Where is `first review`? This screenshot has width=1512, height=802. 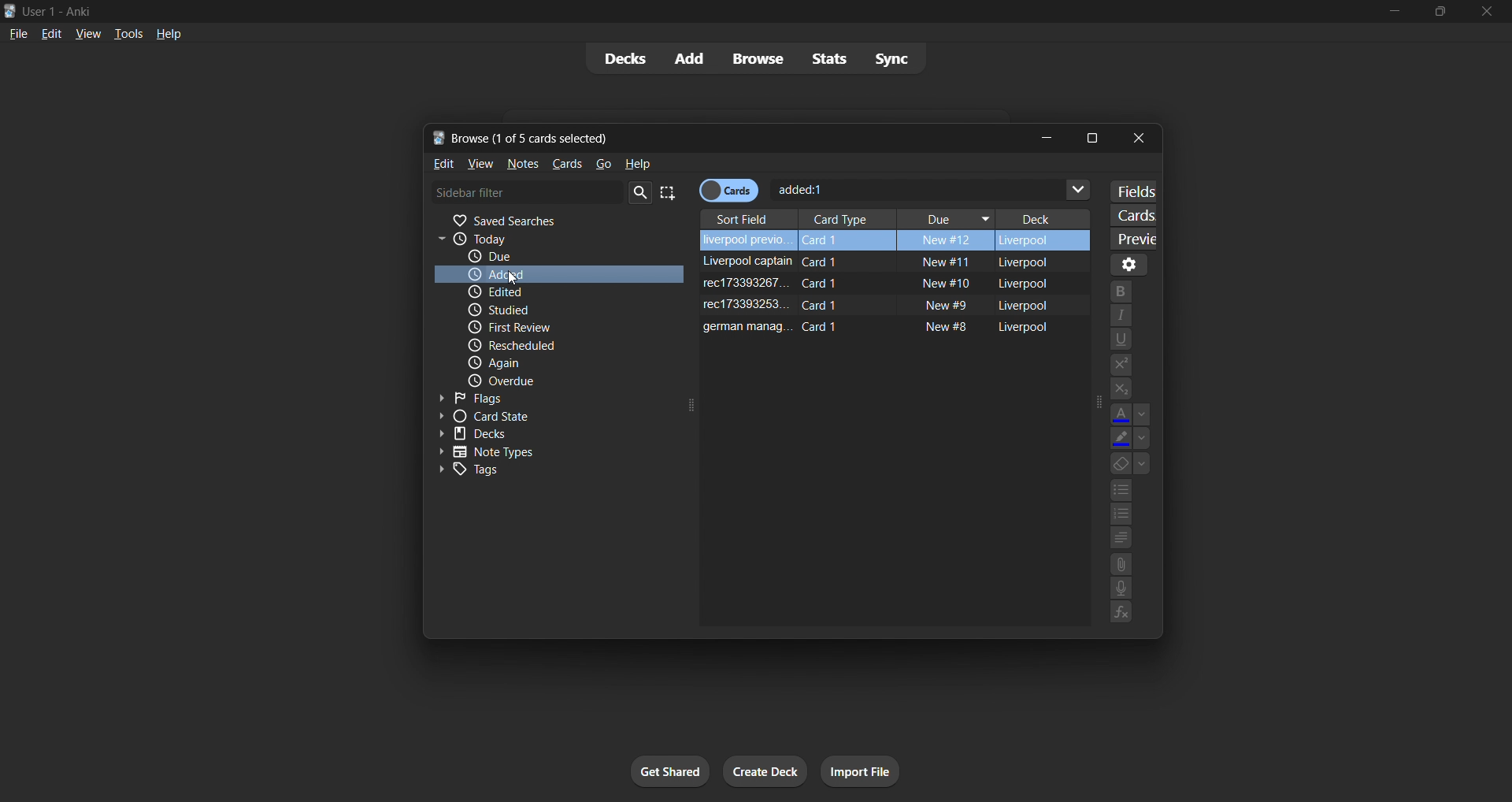 first review is located at coordinates (550, 326).